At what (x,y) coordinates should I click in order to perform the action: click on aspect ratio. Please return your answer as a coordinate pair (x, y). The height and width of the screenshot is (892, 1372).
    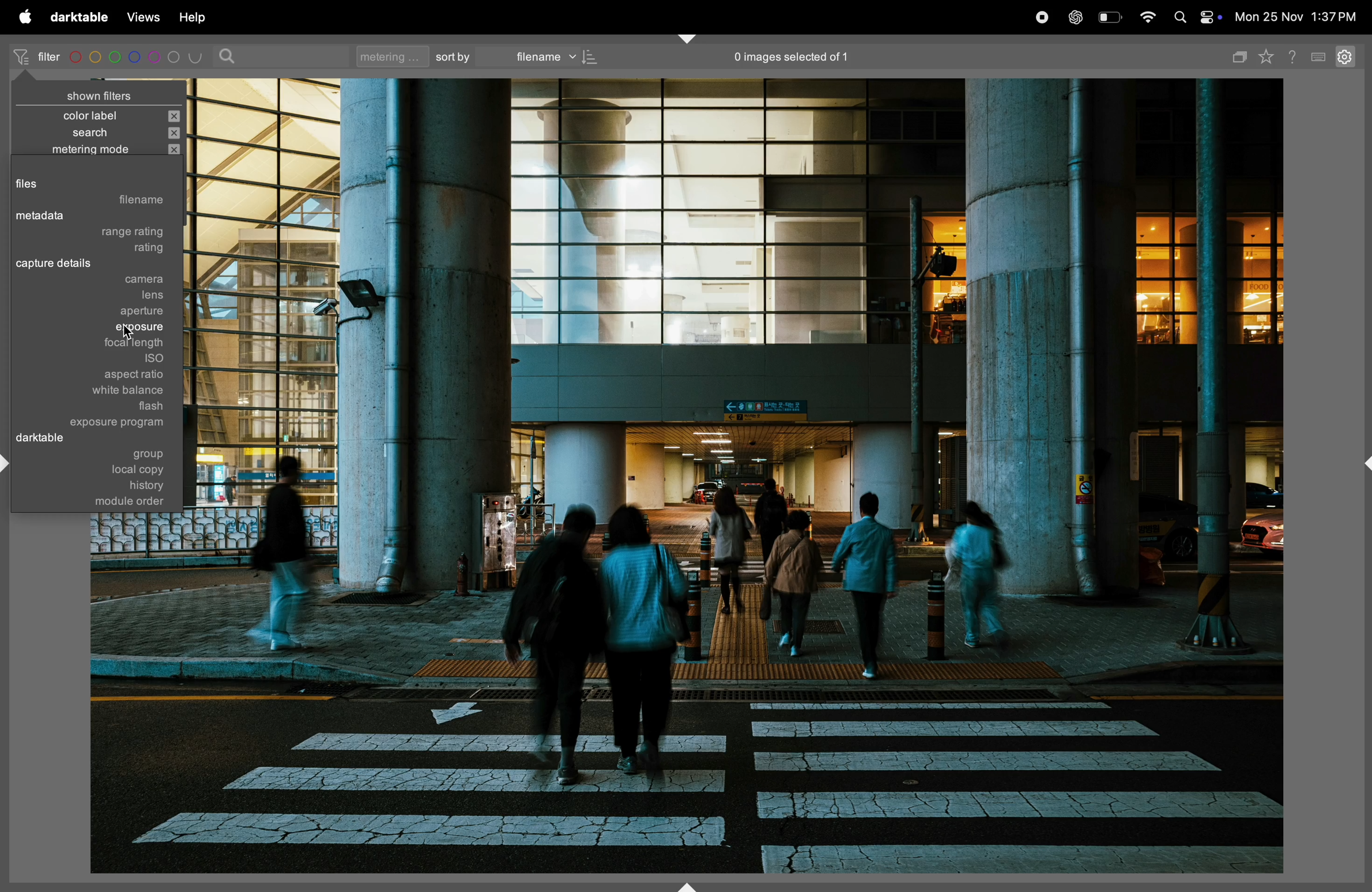
    Looking at the image, I should click on (130, 376).